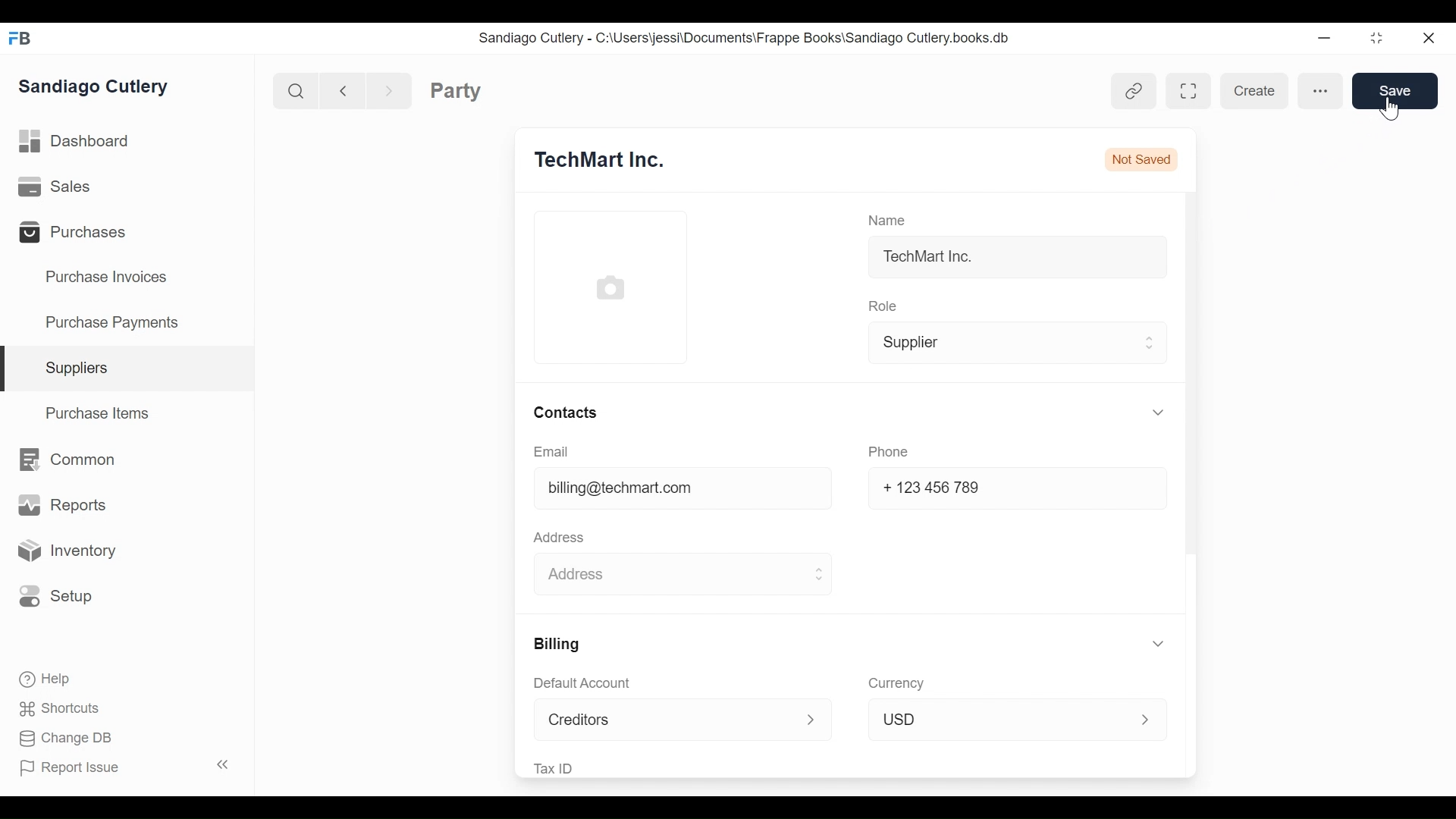 This screenshot has width=1456, height=819. Describe the element at coordinates (51, 679) in the screenshot. I see ` Help` at that location.